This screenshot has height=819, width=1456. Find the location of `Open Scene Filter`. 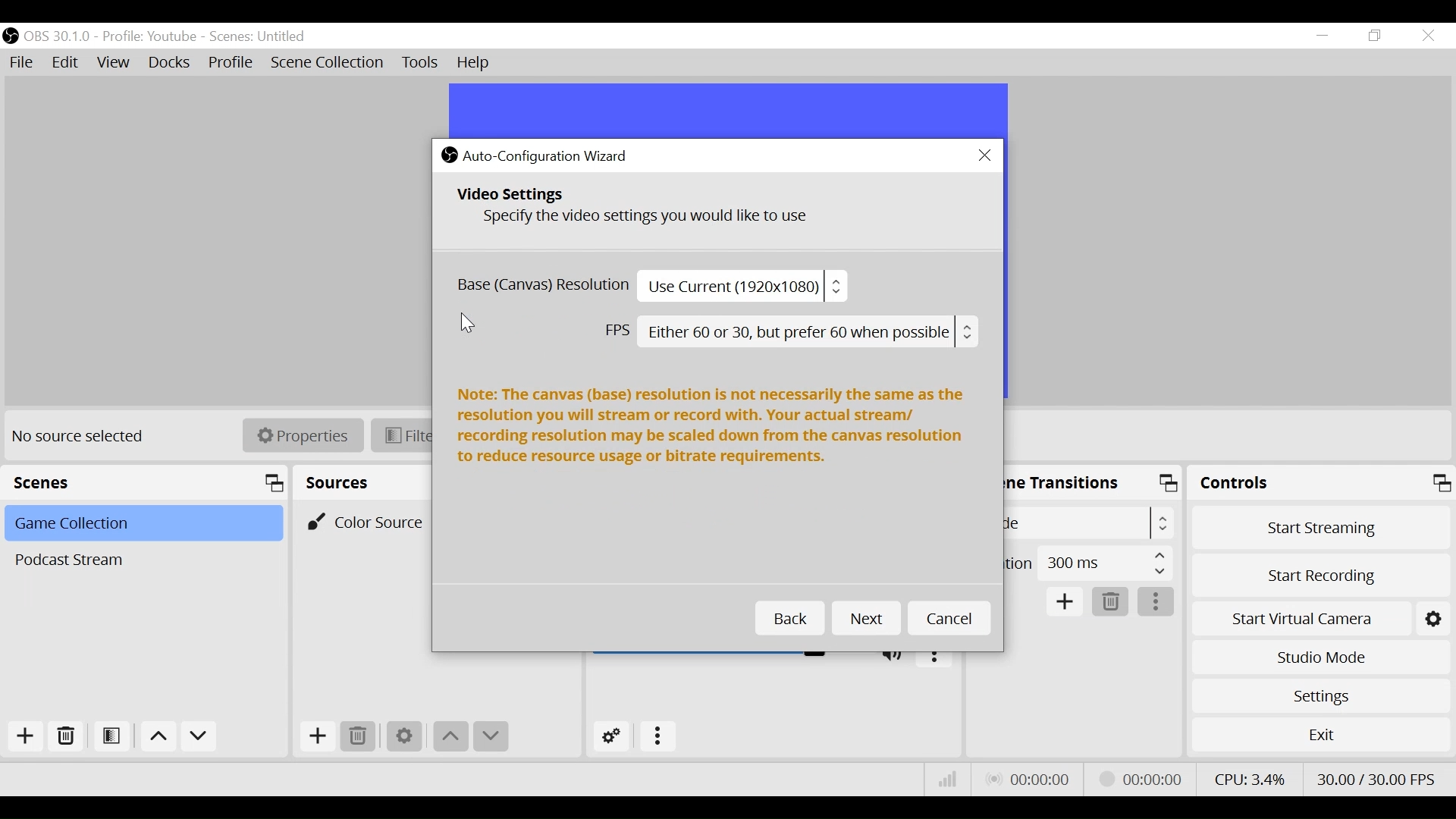

Open Scene Filter is located at coordinates (111, 736).